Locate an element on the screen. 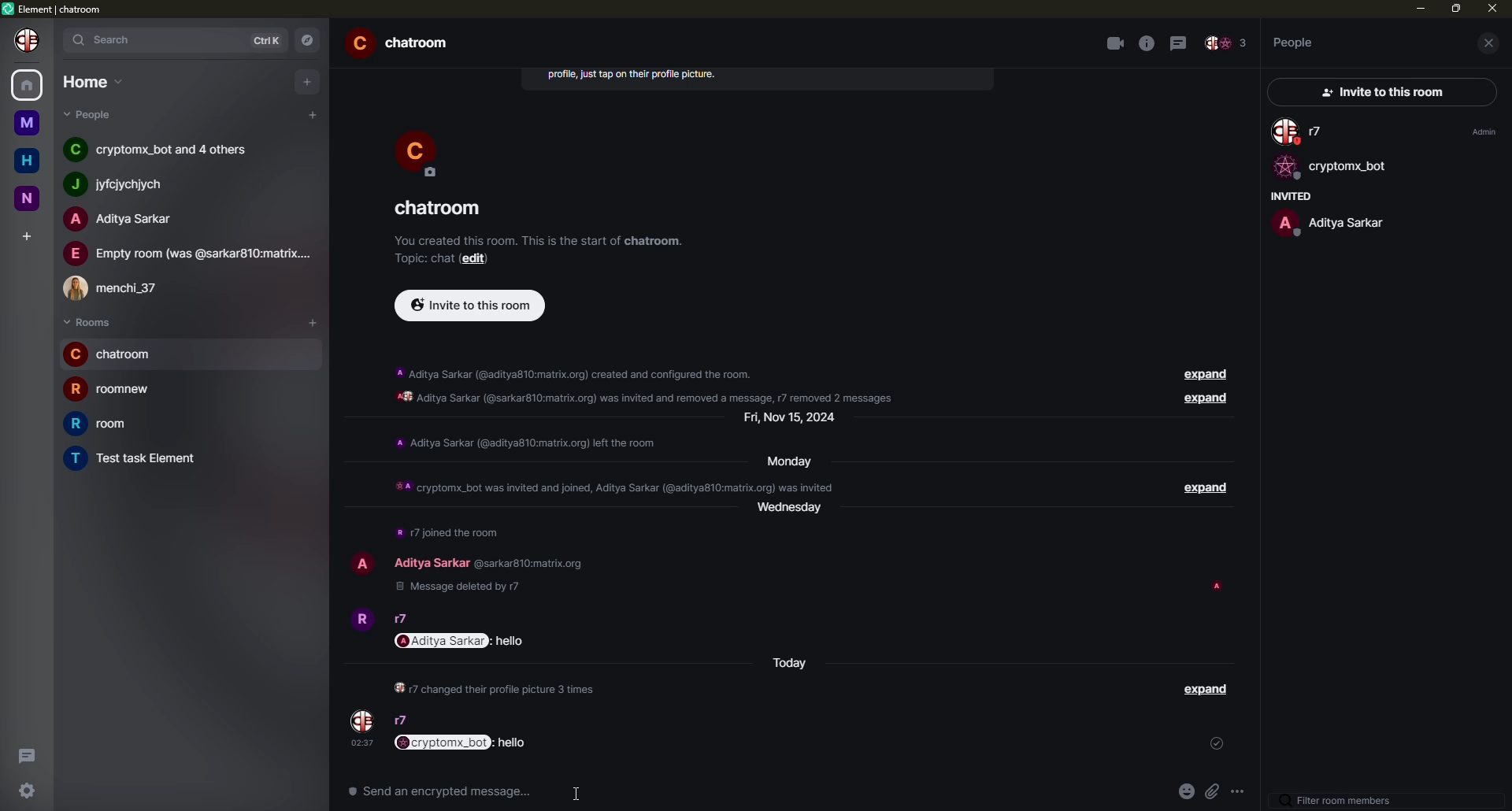  m is located at coordinates (26, 123).